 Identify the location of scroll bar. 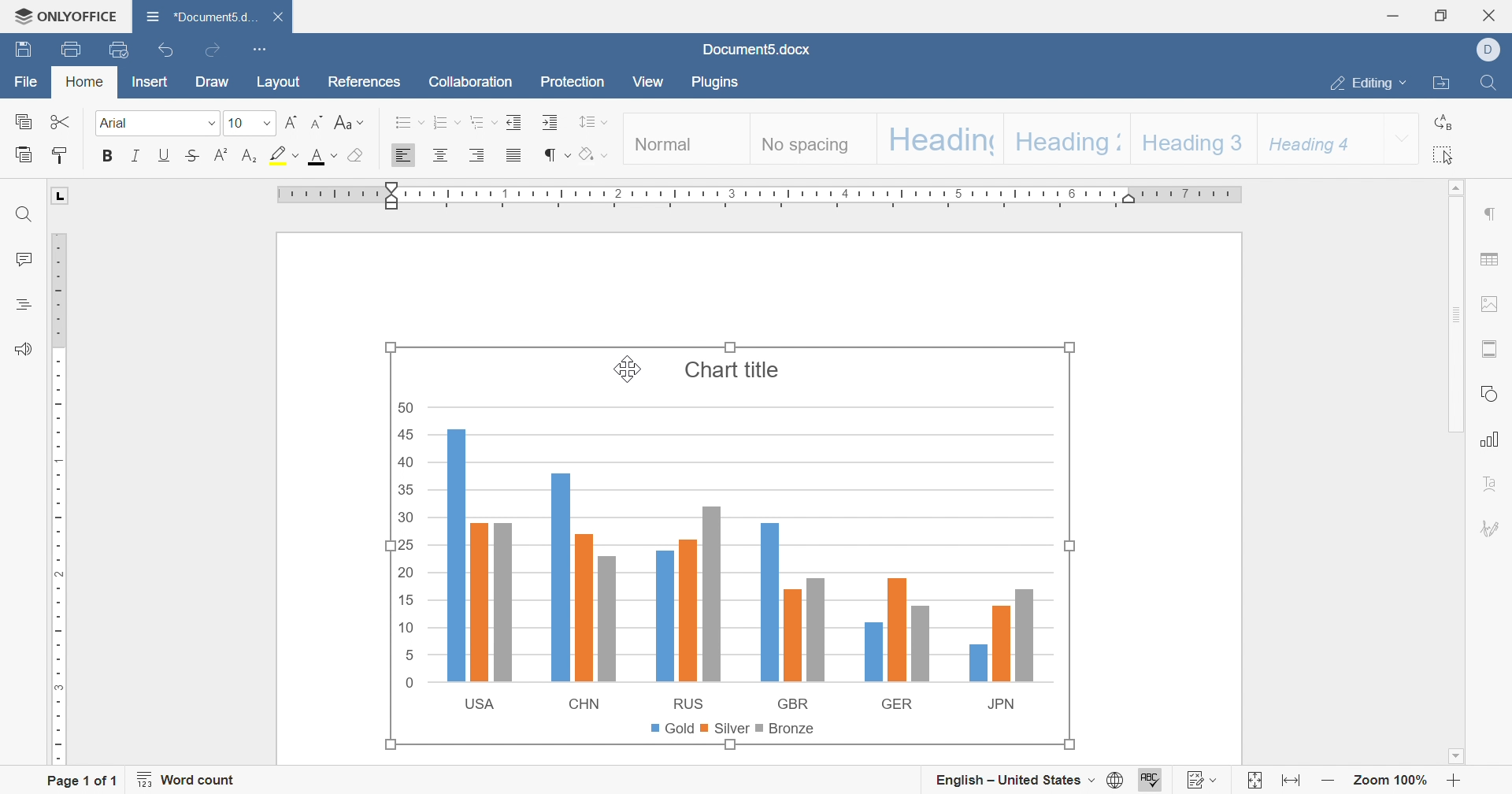
(1455, 307).